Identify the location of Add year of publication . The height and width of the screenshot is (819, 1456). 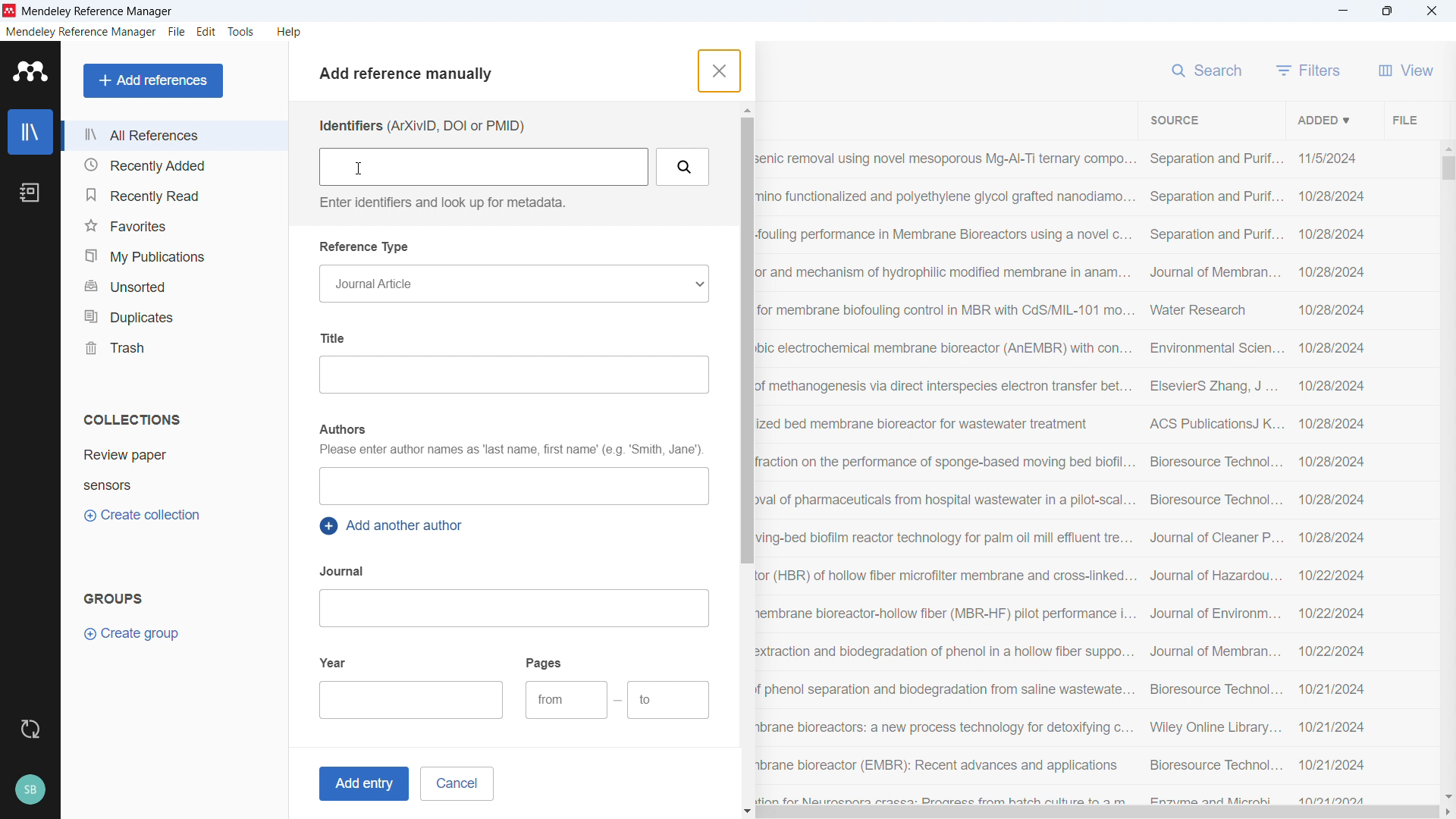
(413, 700).